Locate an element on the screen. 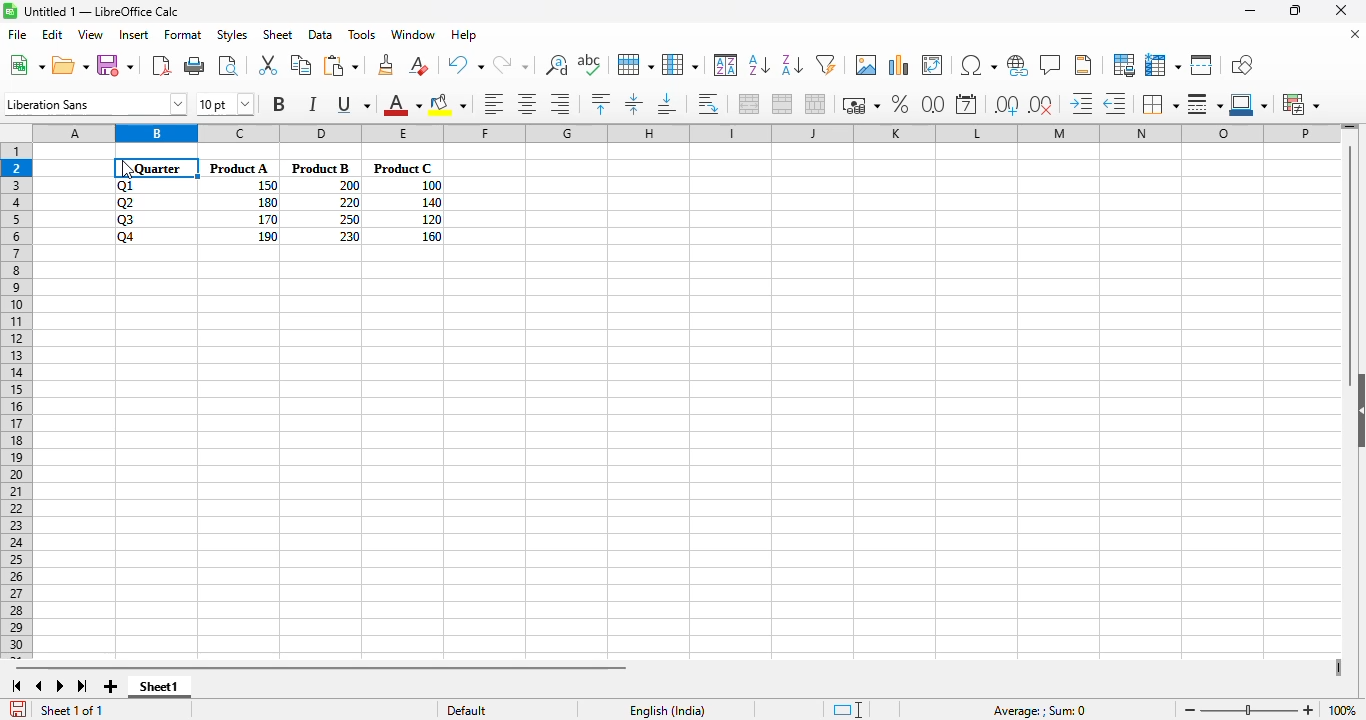 Image resolution: width=1366 pixels, height=720 pixels. Product B is located at coordinates (321, 168).